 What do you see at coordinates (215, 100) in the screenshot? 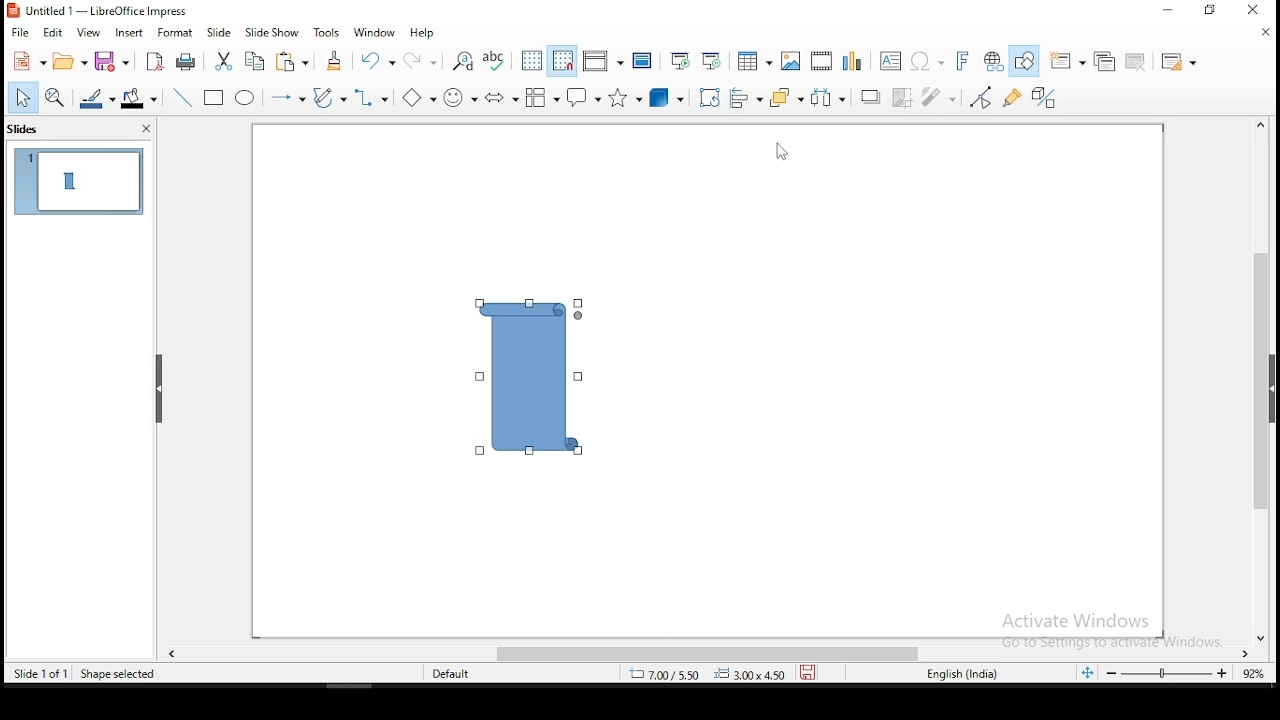
I see `rectangle` at bounding box center [215, 100].